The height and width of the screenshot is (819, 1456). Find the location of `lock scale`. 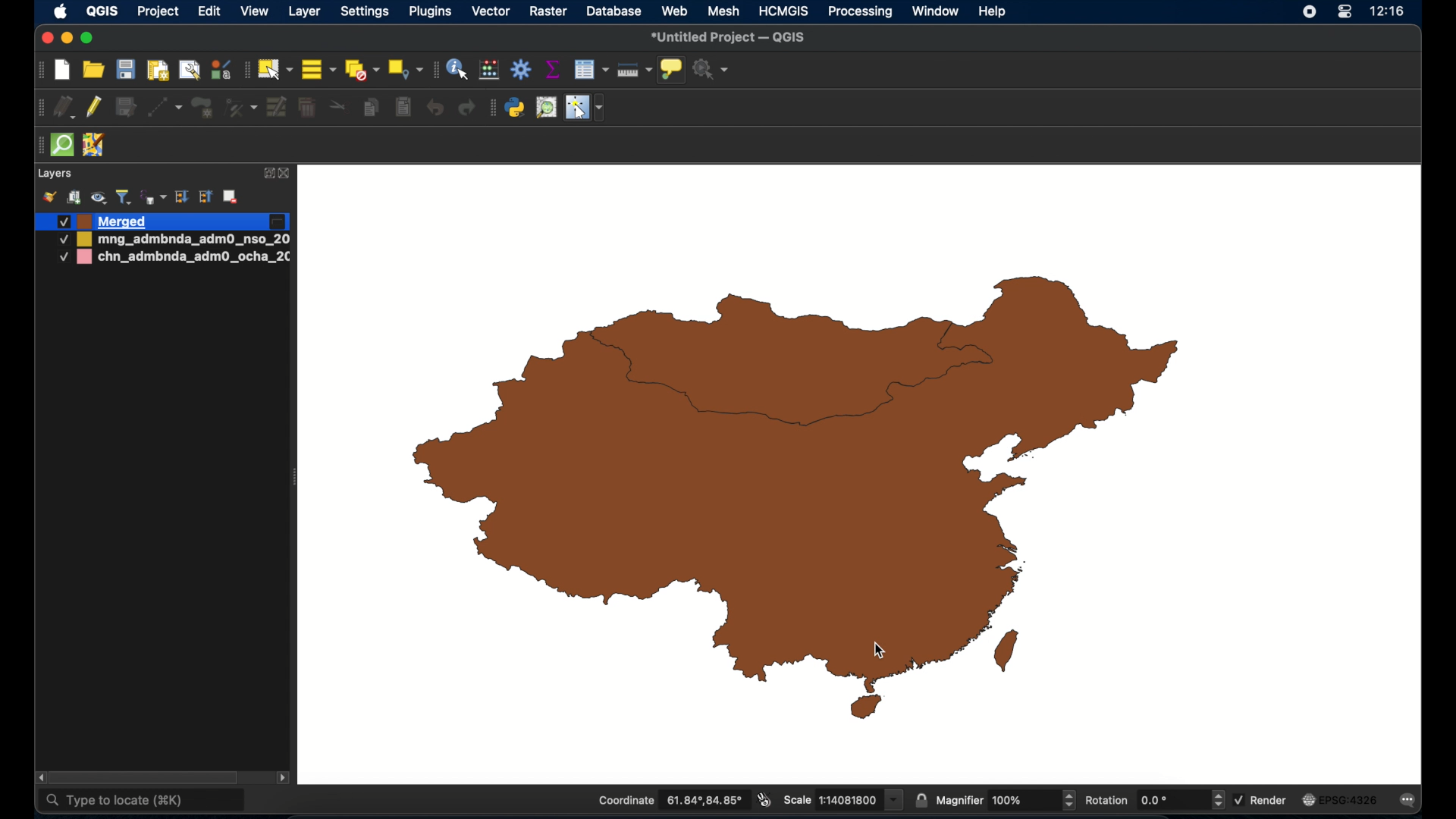

lock scale is located at coordinates (921, 799).